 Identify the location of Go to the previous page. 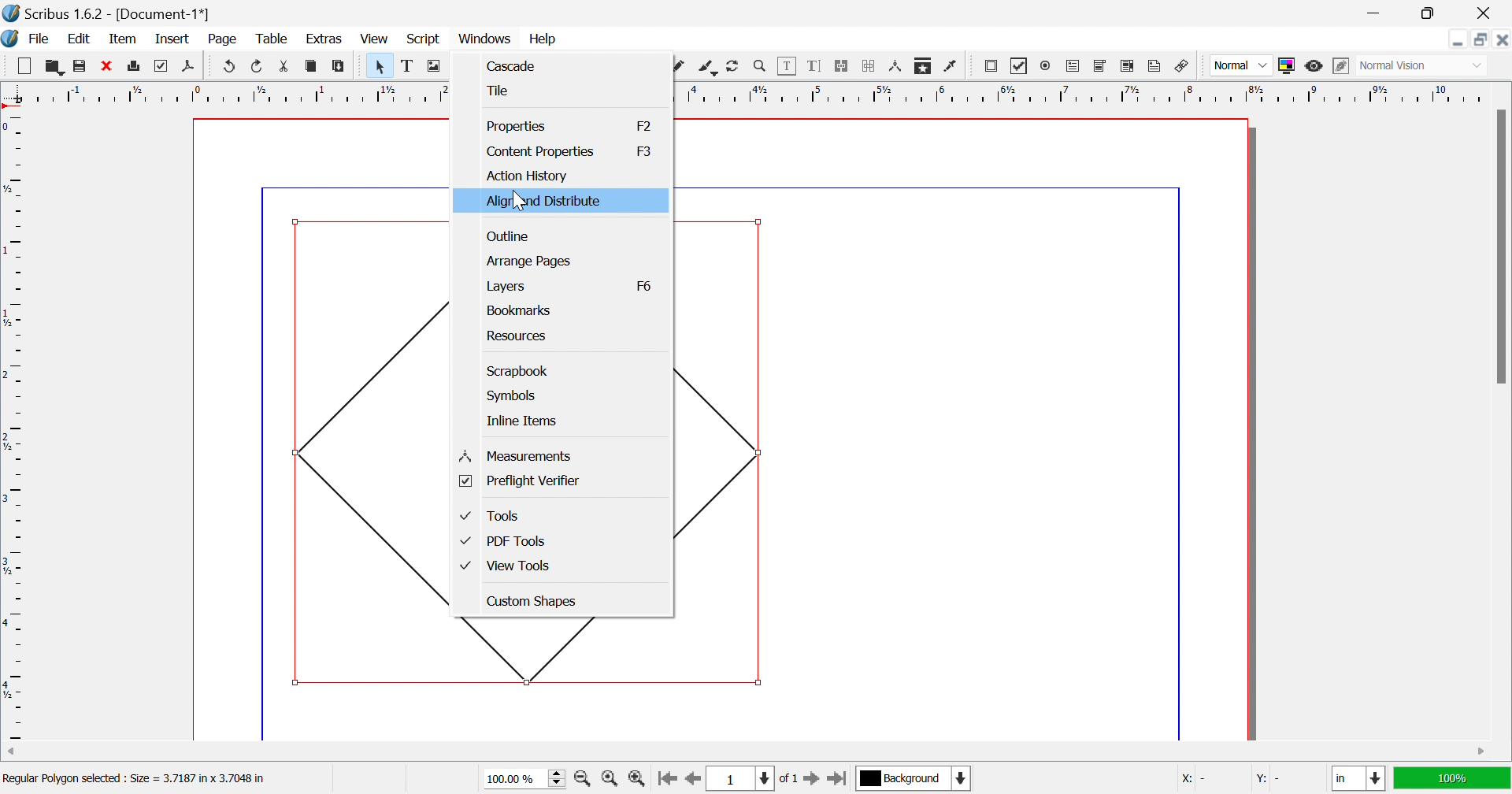
(691, 784).